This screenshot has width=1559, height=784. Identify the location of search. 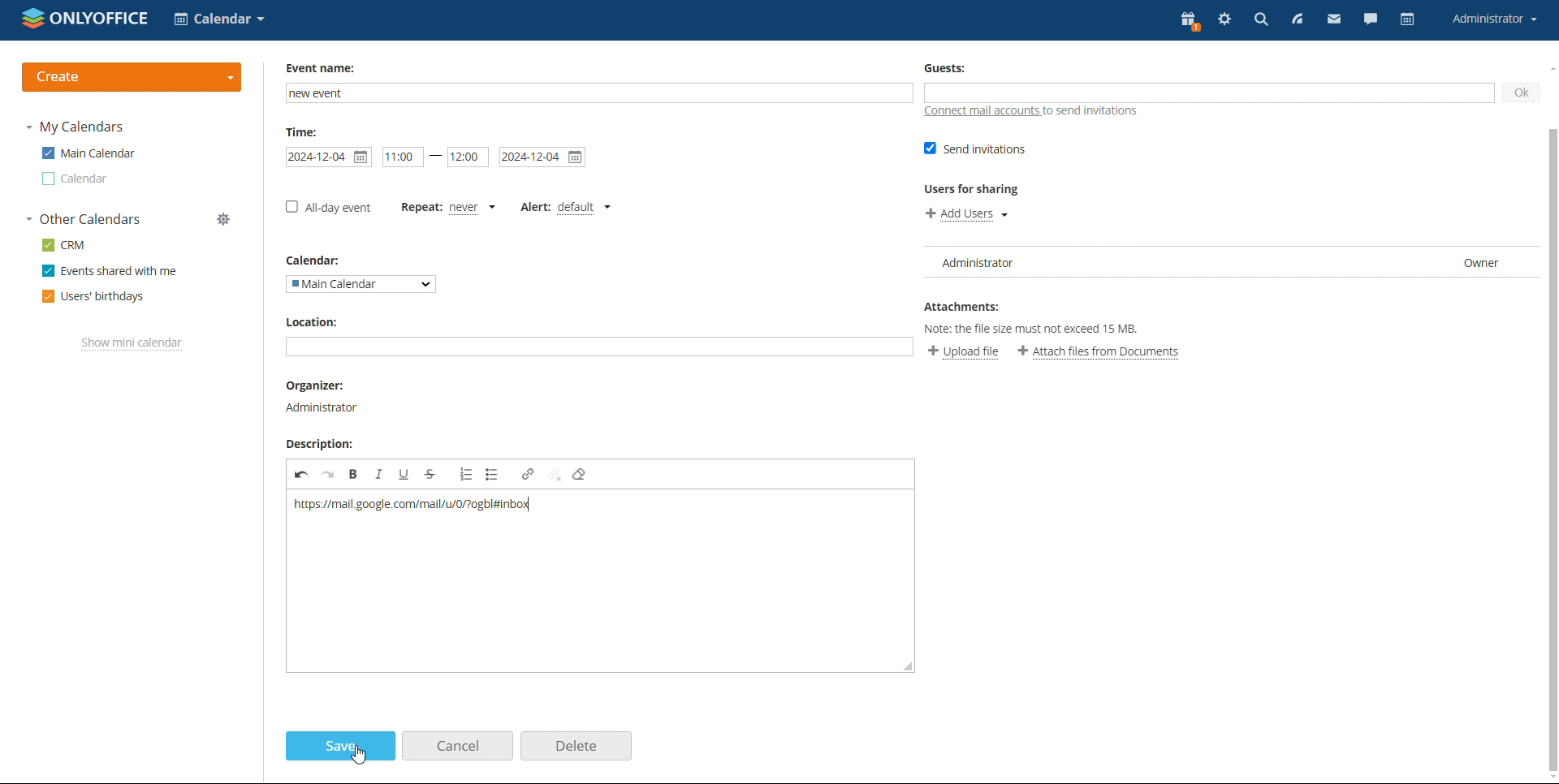
(1260, 21).